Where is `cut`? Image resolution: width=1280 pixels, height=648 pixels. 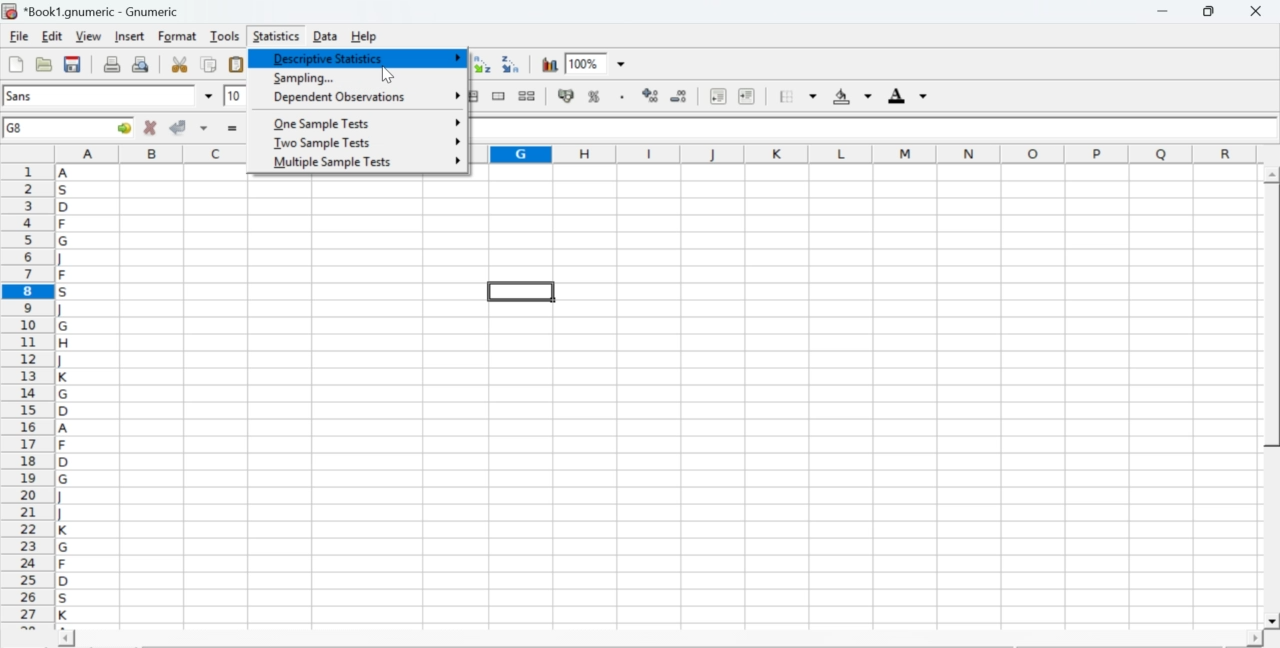 cut is located at coordinates (179, 64).